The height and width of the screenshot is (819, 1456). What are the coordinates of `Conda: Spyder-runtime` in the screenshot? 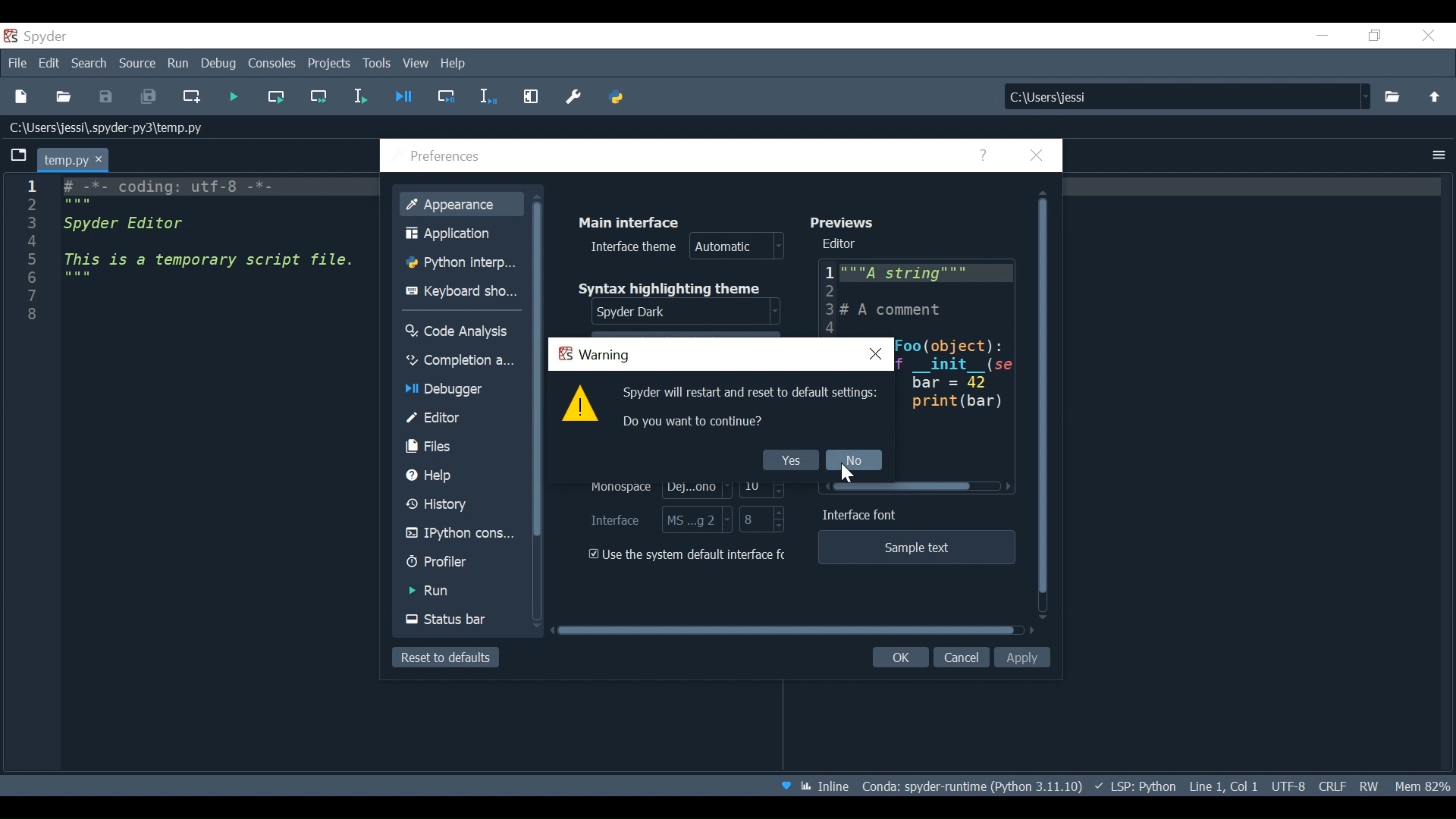 It's located at (971, 786).